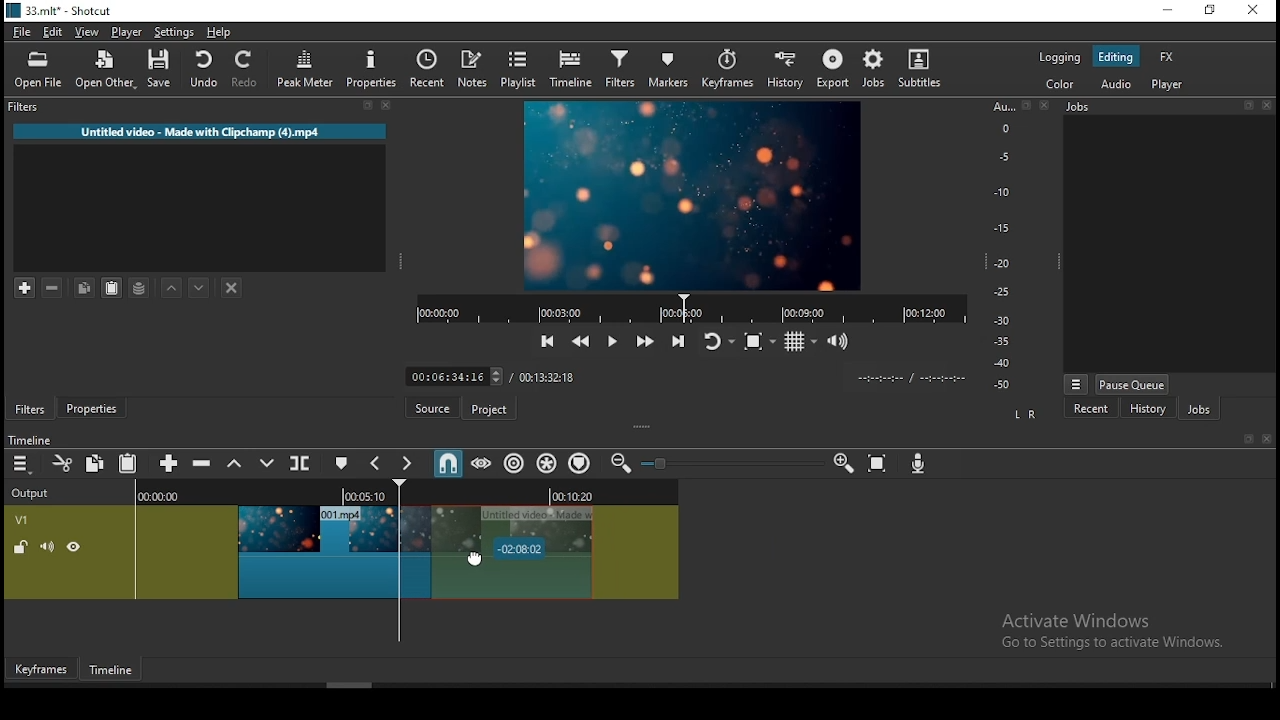  What do you see at coordinates (377, 463) in the screenshot?
I see `previous marker` at bounding box center [377, 463].